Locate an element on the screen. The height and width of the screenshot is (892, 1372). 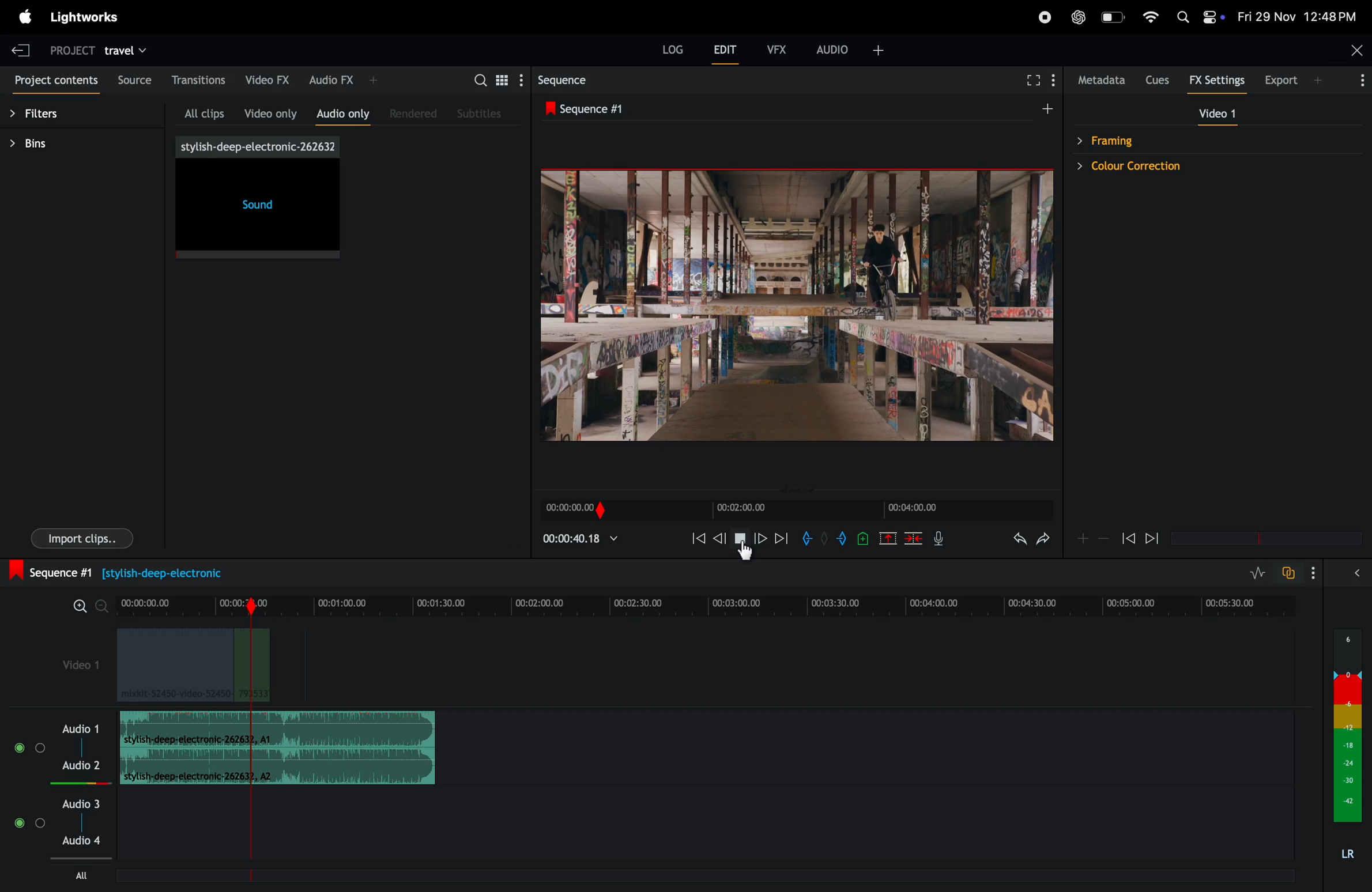
add is located at coordinates (889, 538).